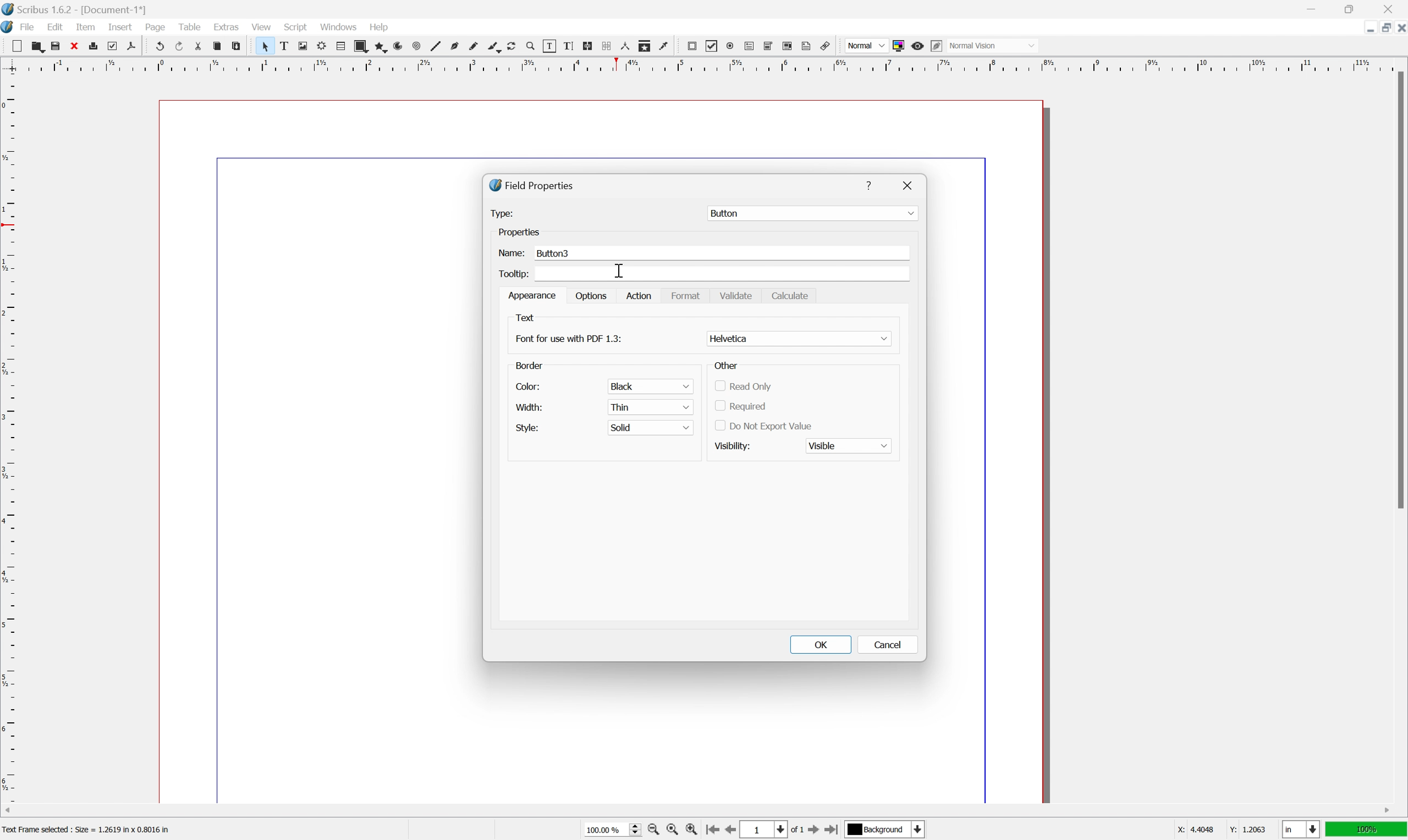 Image resolution: width=1408 pixels, height=840 pixels. What do you see at coordinates (550, 45) in the screenshot?
I see `edit contents of frame` at bounding box center [550, 45].